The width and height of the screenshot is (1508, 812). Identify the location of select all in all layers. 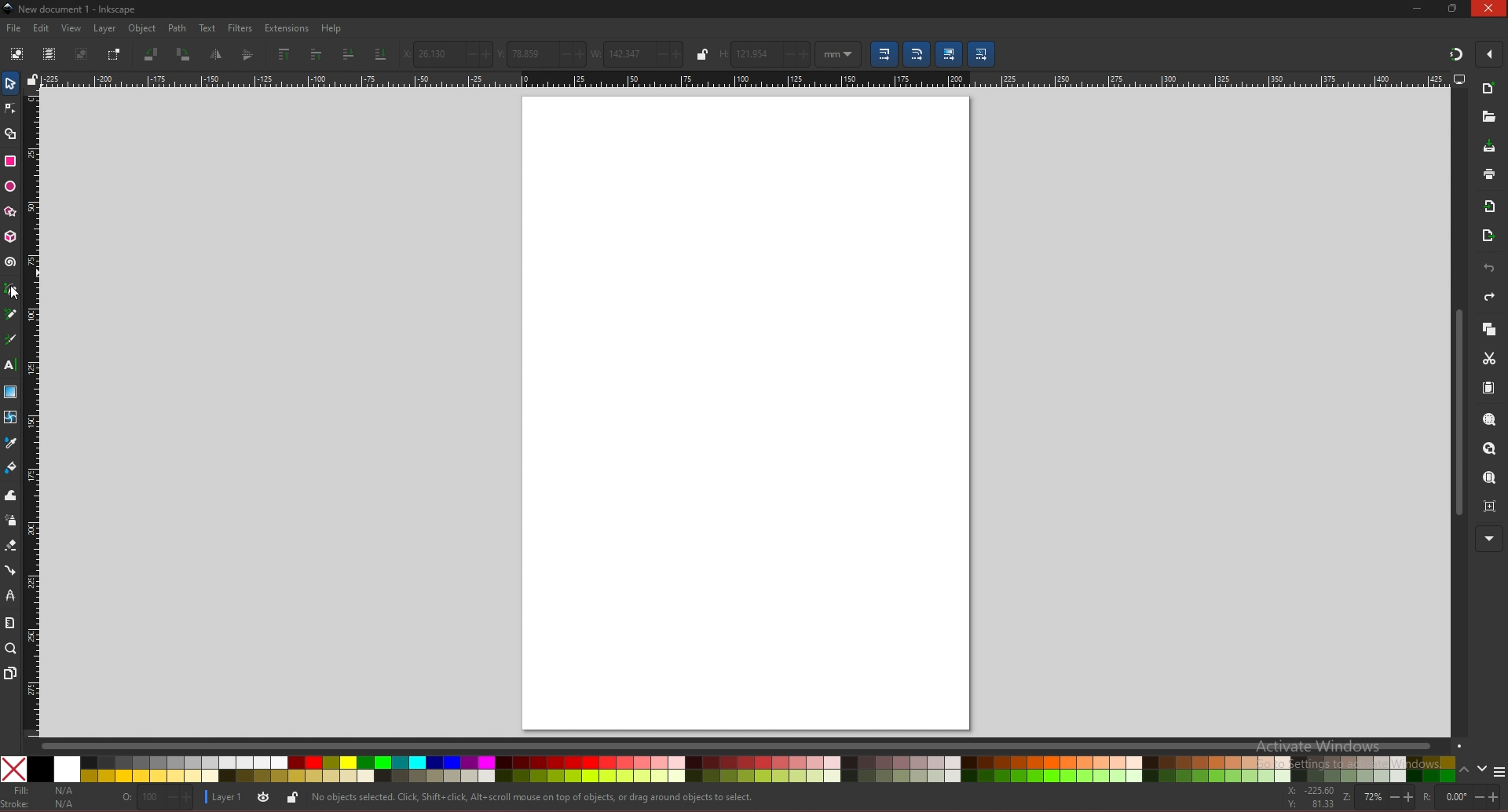
(49, 53).